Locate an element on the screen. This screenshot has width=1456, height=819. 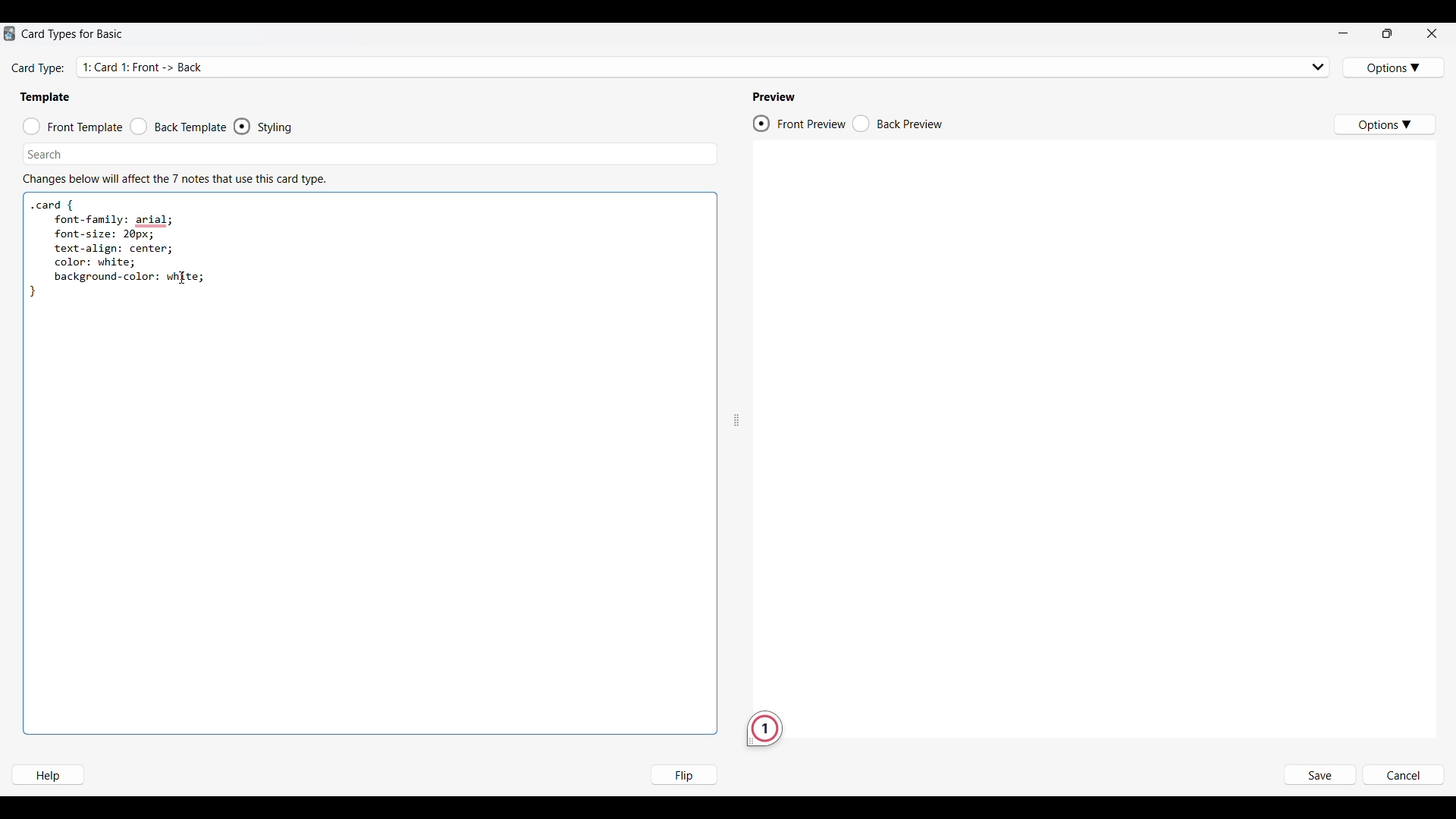
Search is located at coordinates (45, 154).